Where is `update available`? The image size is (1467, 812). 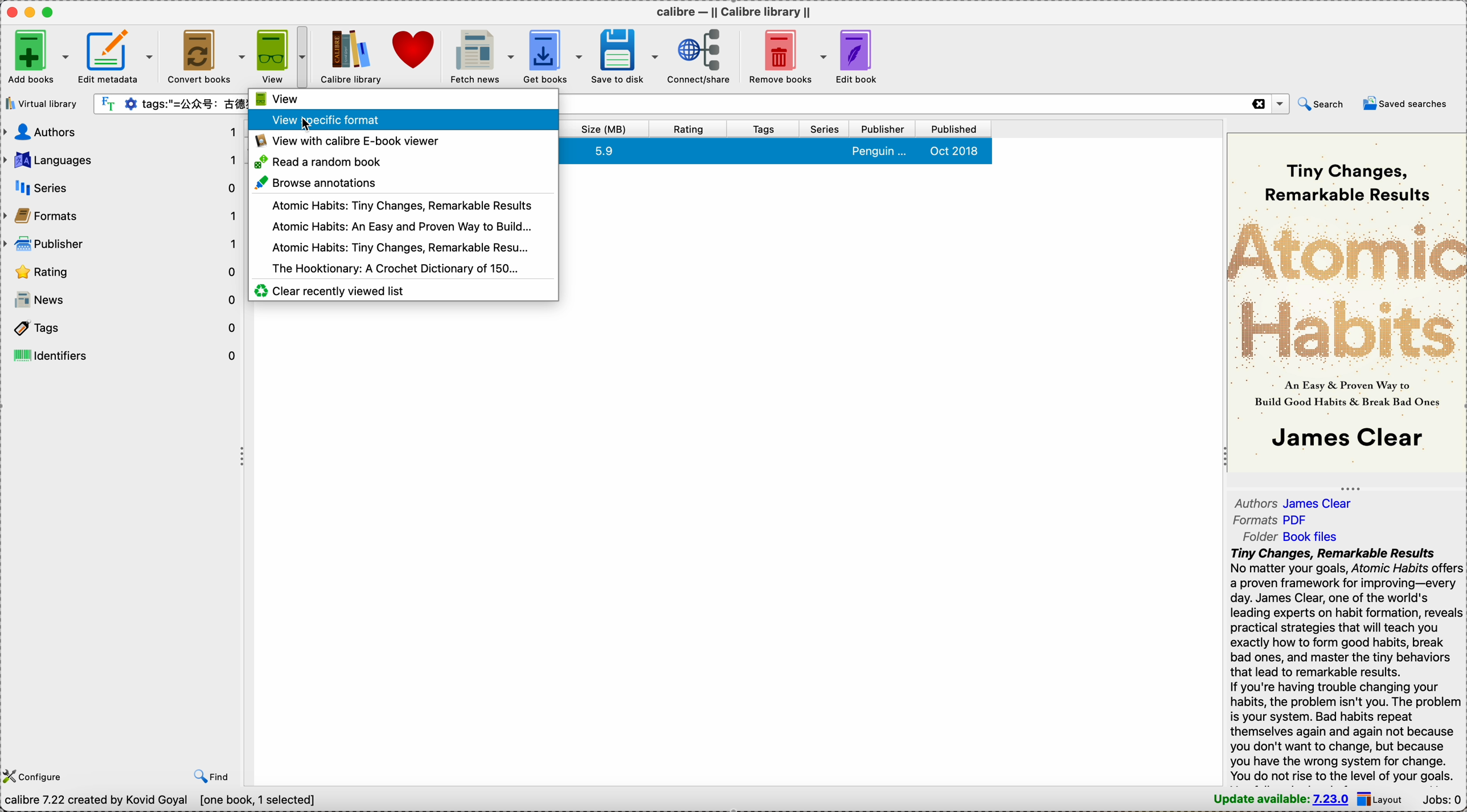
update available is located at coordinates (1280, 799).